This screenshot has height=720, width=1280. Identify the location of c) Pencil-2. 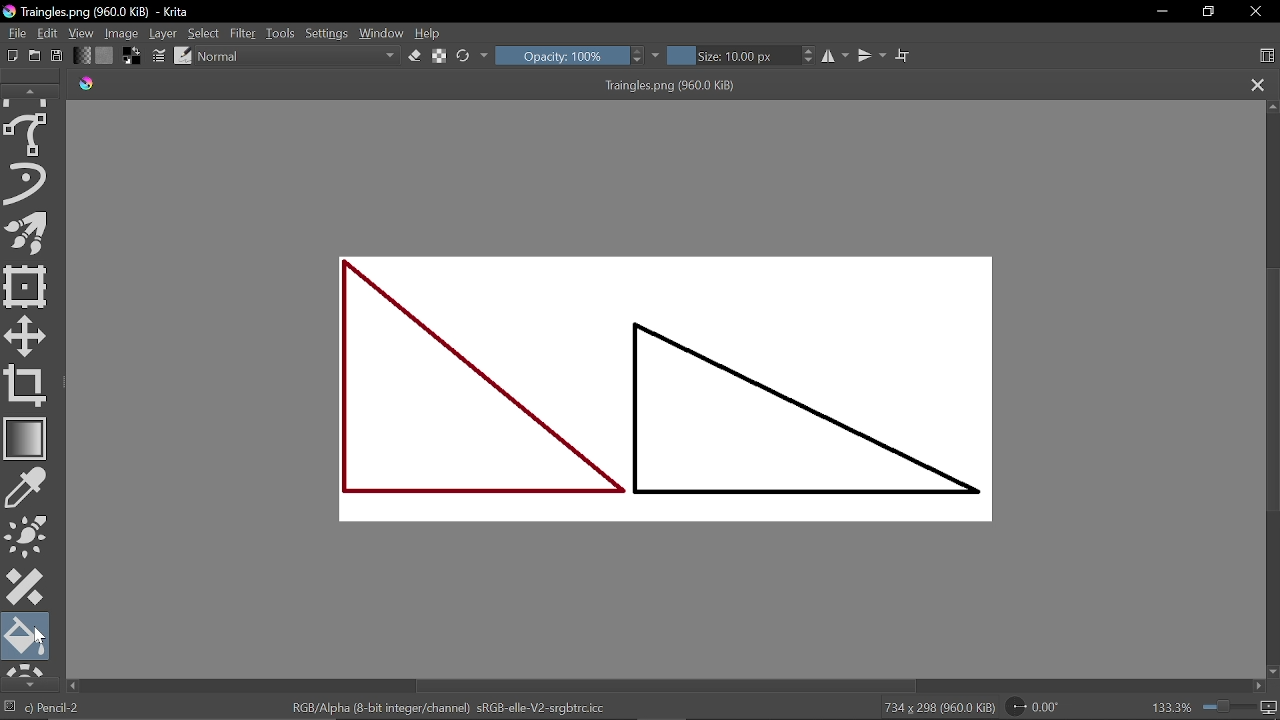
(53, 708).